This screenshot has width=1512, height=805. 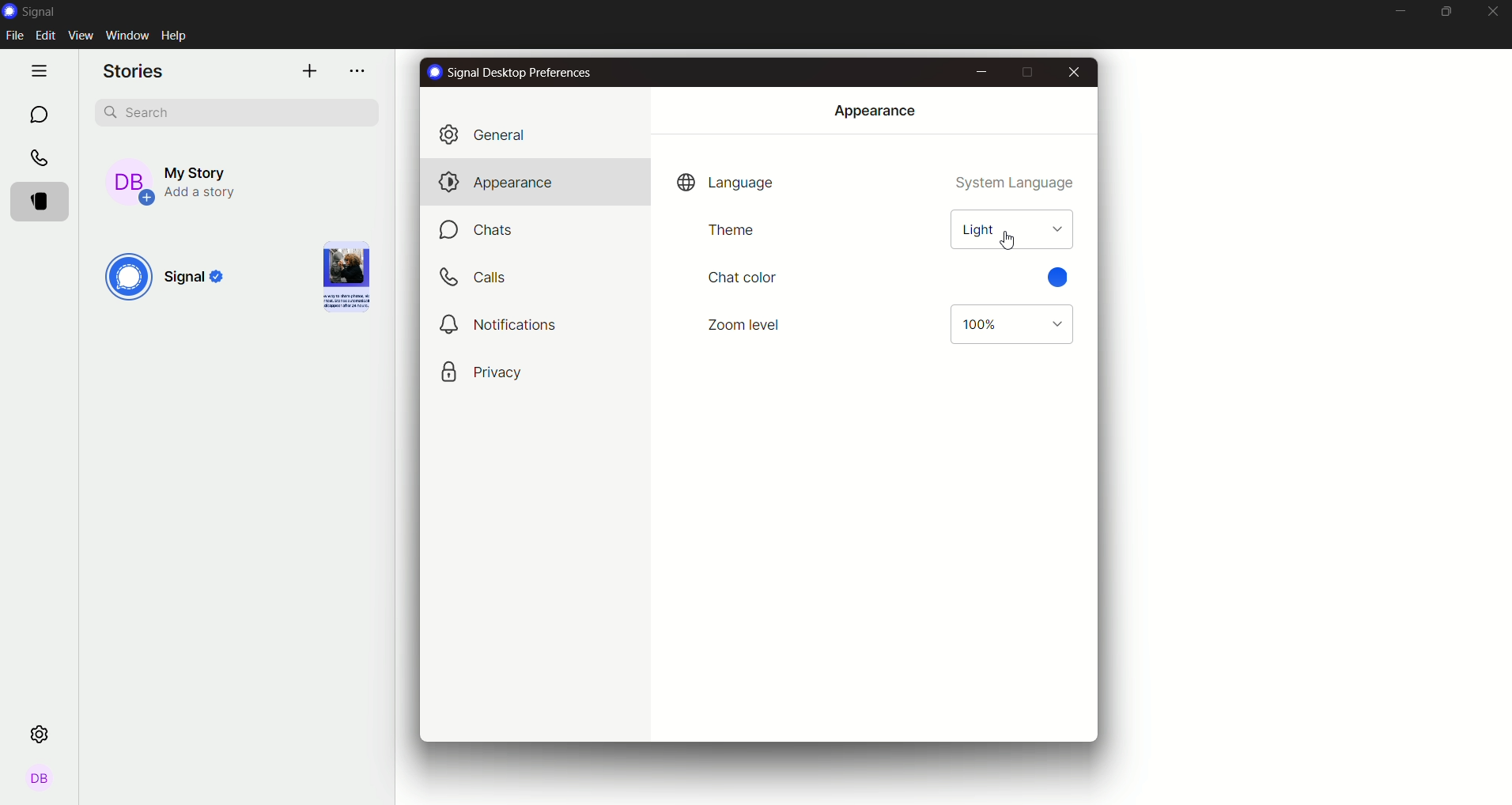 I want to click on signal logo, so click(x=170, y=279).